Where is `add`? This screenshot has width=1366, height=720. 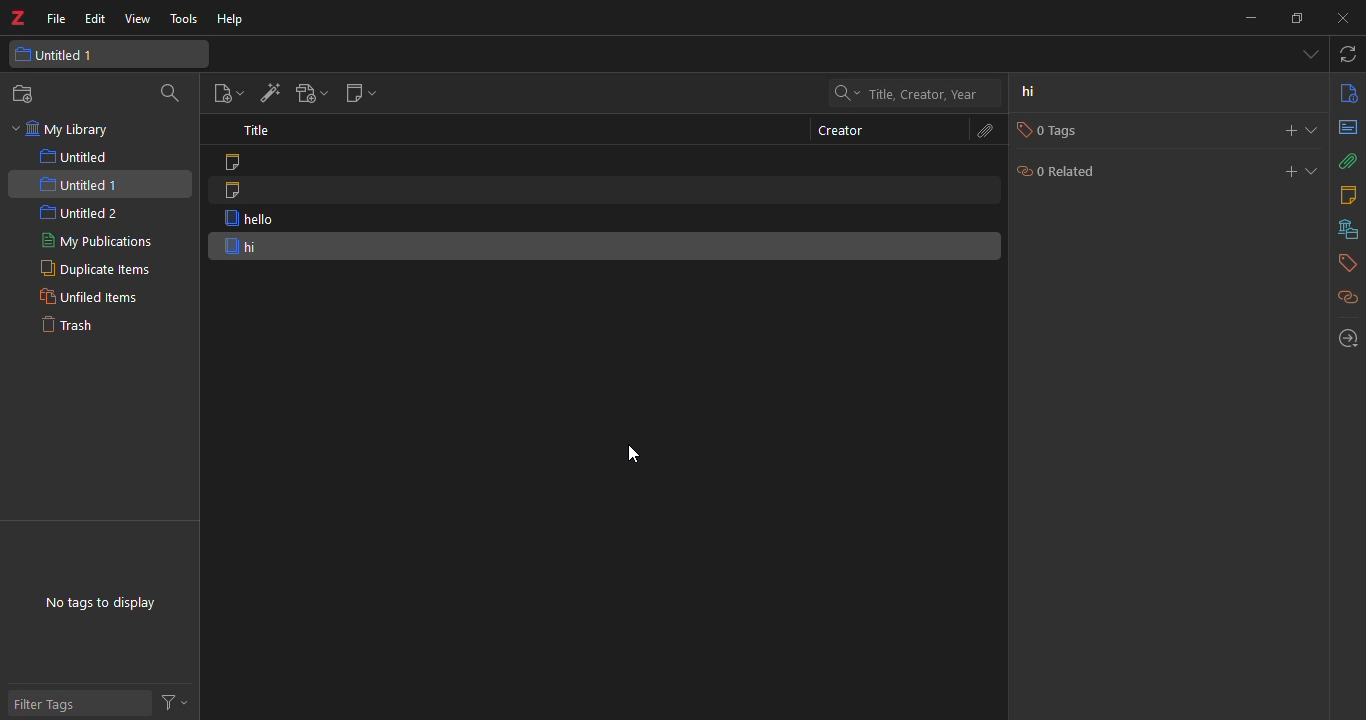 add is located at coordinates (1285, 171).